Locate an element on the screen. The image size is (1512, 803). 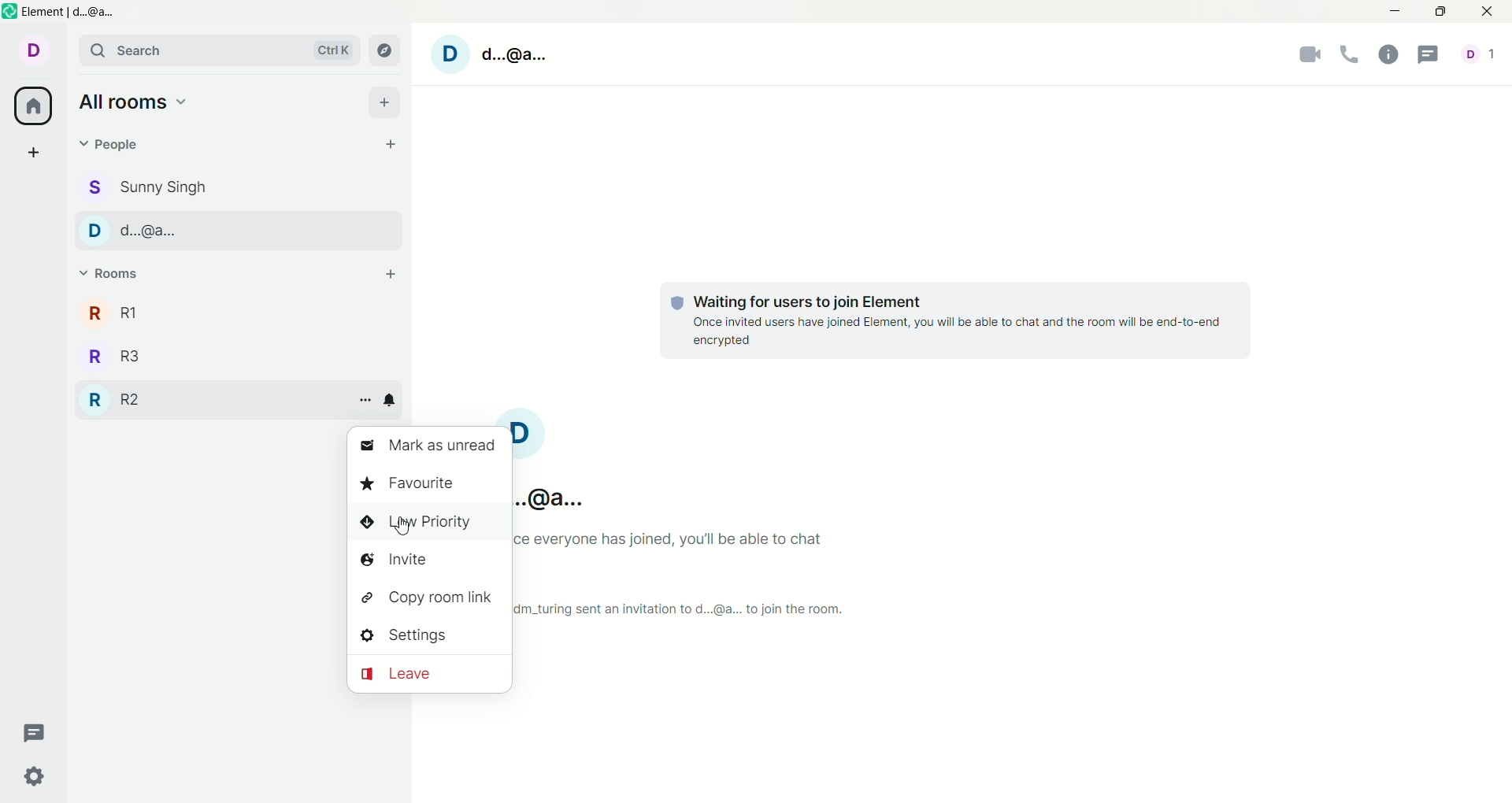
add is located at coordinates (387, 275).